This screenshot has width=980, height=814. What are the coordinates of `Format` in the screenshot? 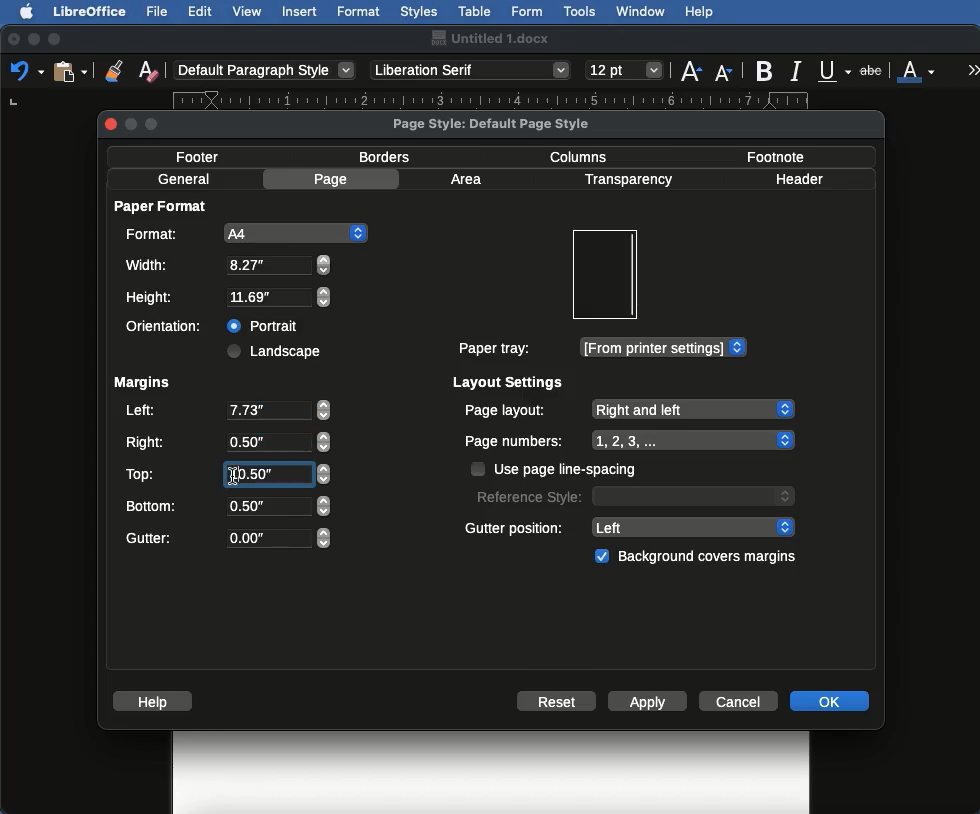 It's located at (360, 12).